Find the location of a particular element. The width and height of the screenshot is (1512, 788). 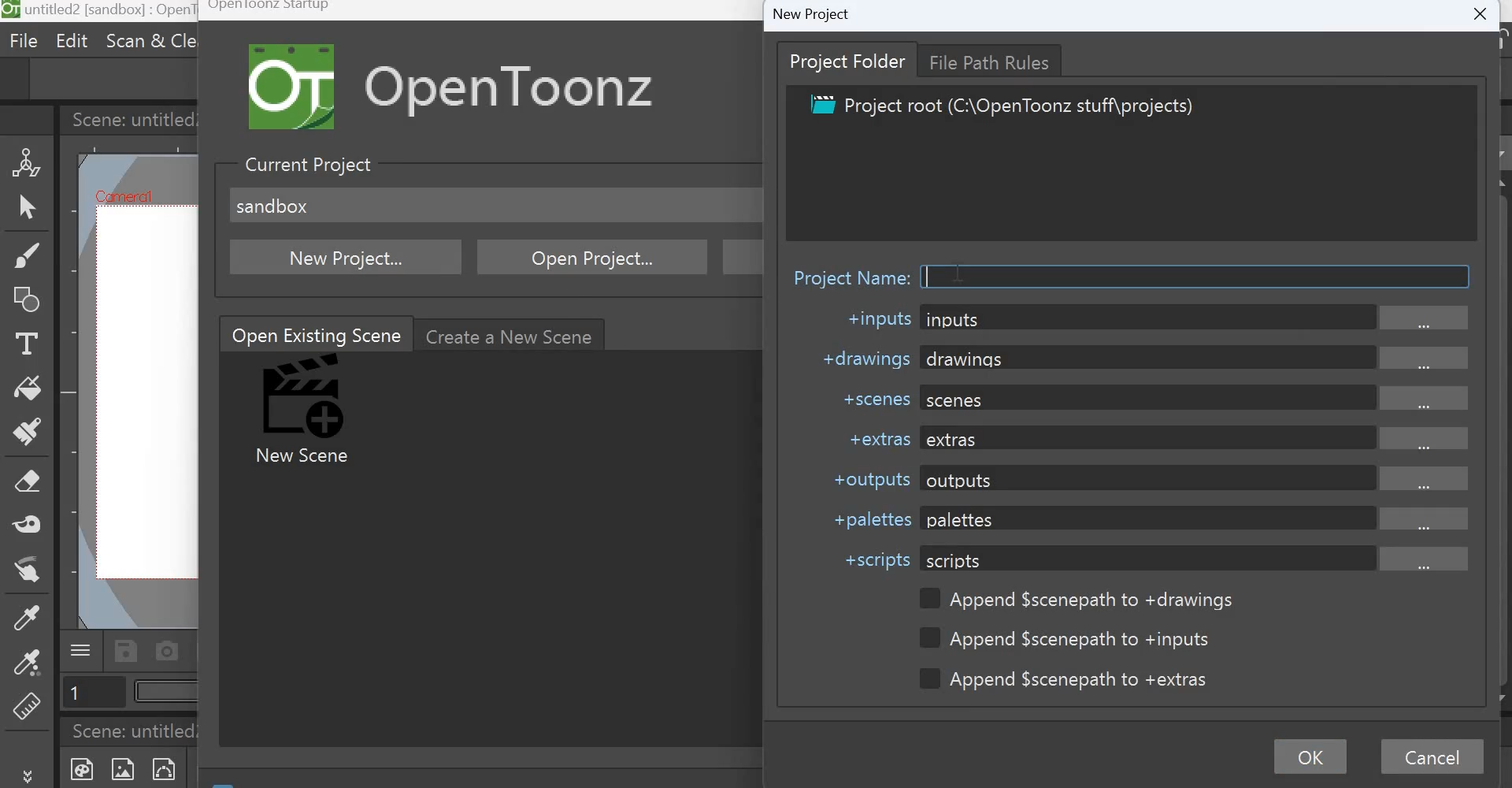

+scripts is located at coordinates (877, 560).